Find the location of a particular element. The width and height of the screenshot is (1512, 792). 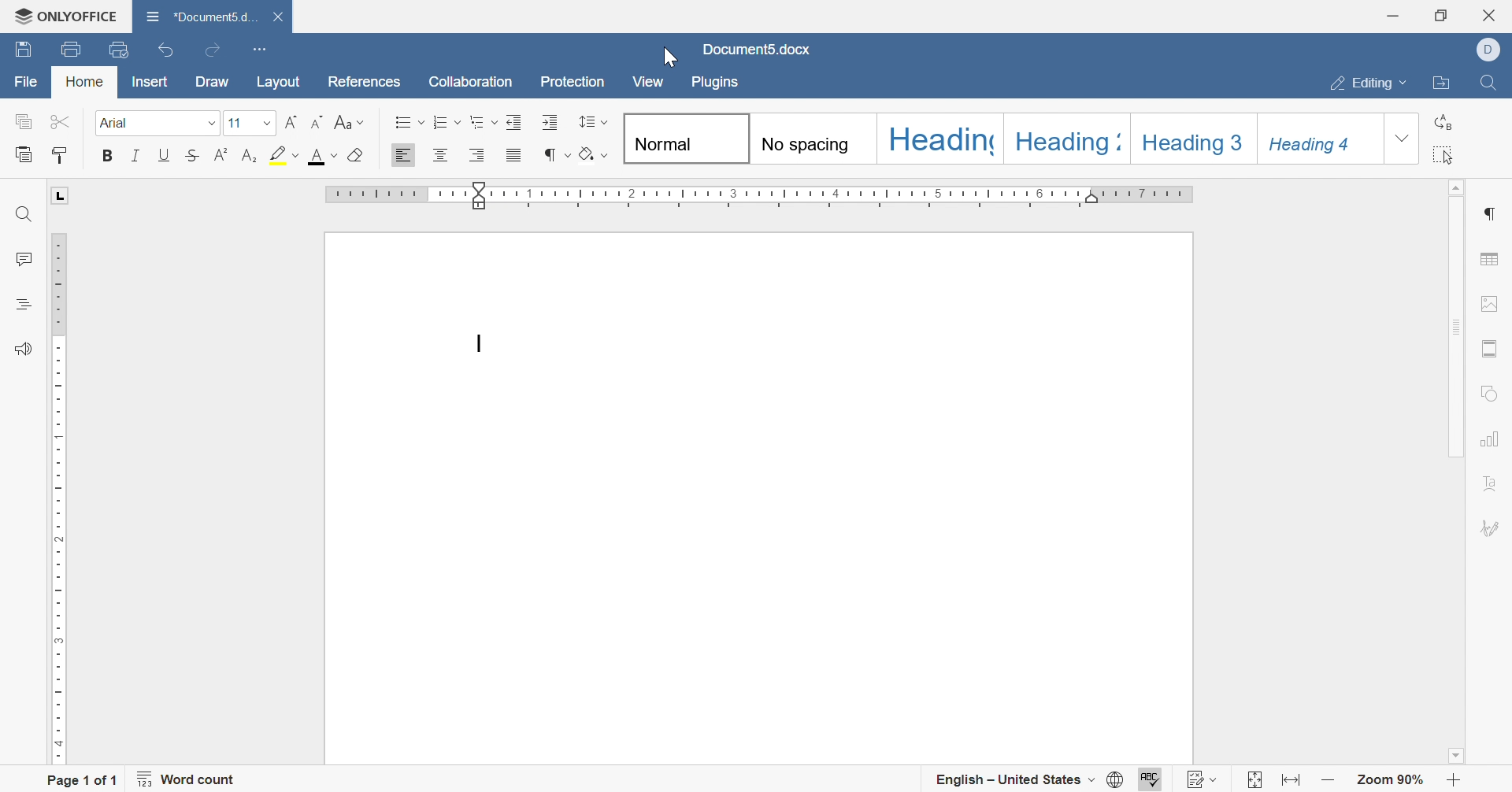

cut is located at coordinates (57, 120).